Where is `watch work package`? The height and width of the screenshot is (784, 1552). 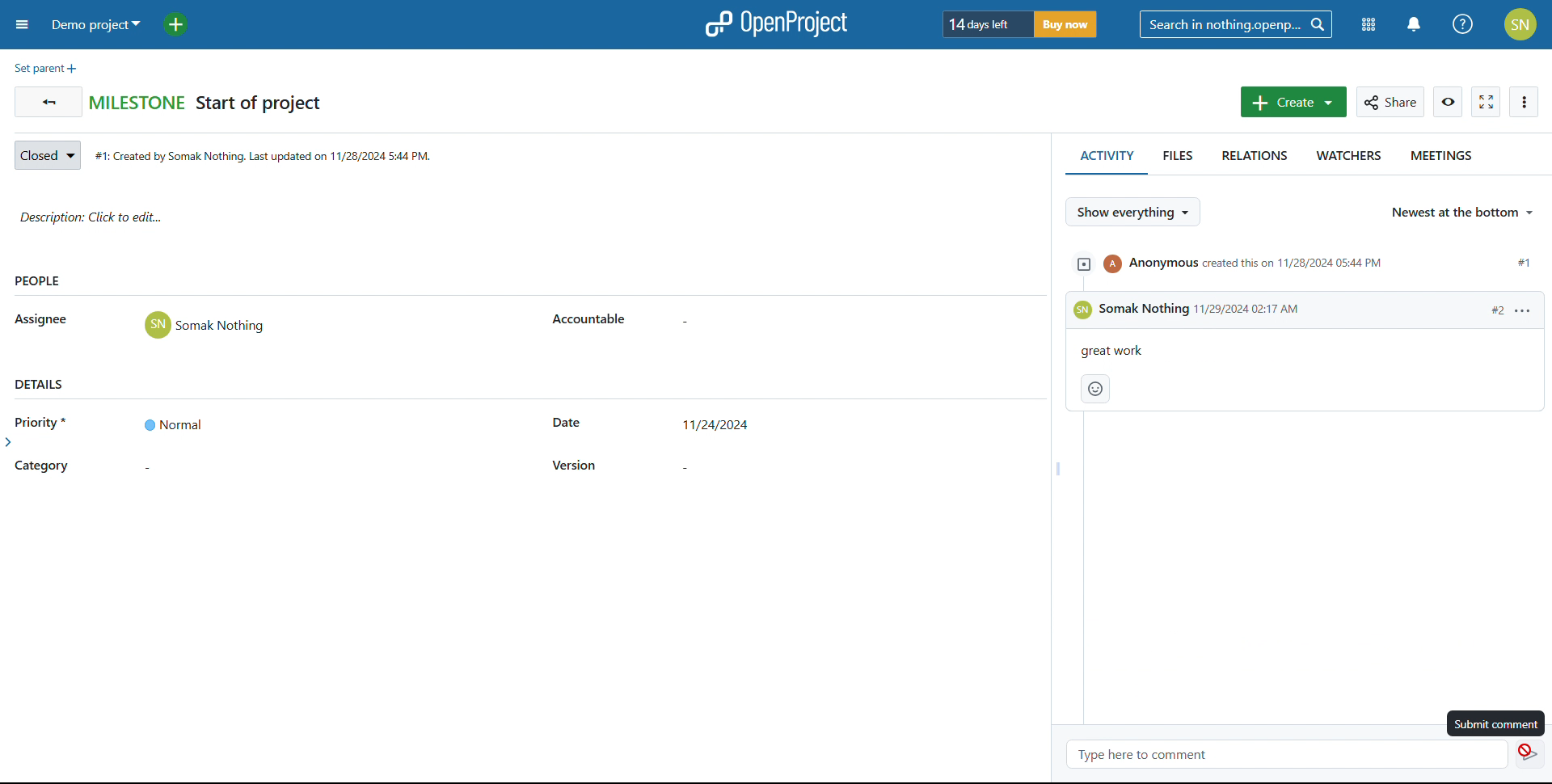 watch work package is located at coordinates (1449, 102).